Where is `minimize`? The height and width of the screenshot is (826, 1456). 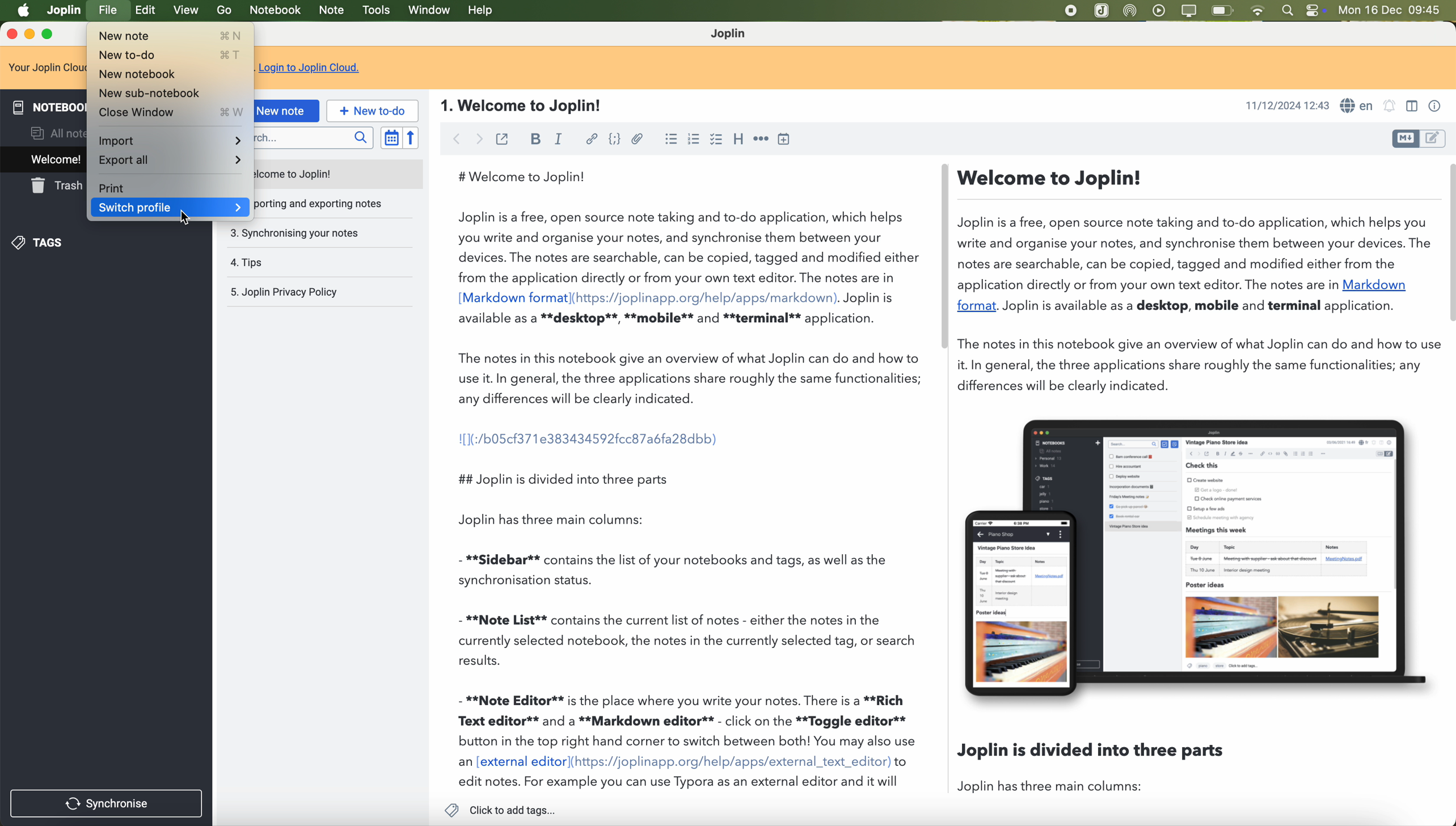 minimize is located at coordinates (30, 35).